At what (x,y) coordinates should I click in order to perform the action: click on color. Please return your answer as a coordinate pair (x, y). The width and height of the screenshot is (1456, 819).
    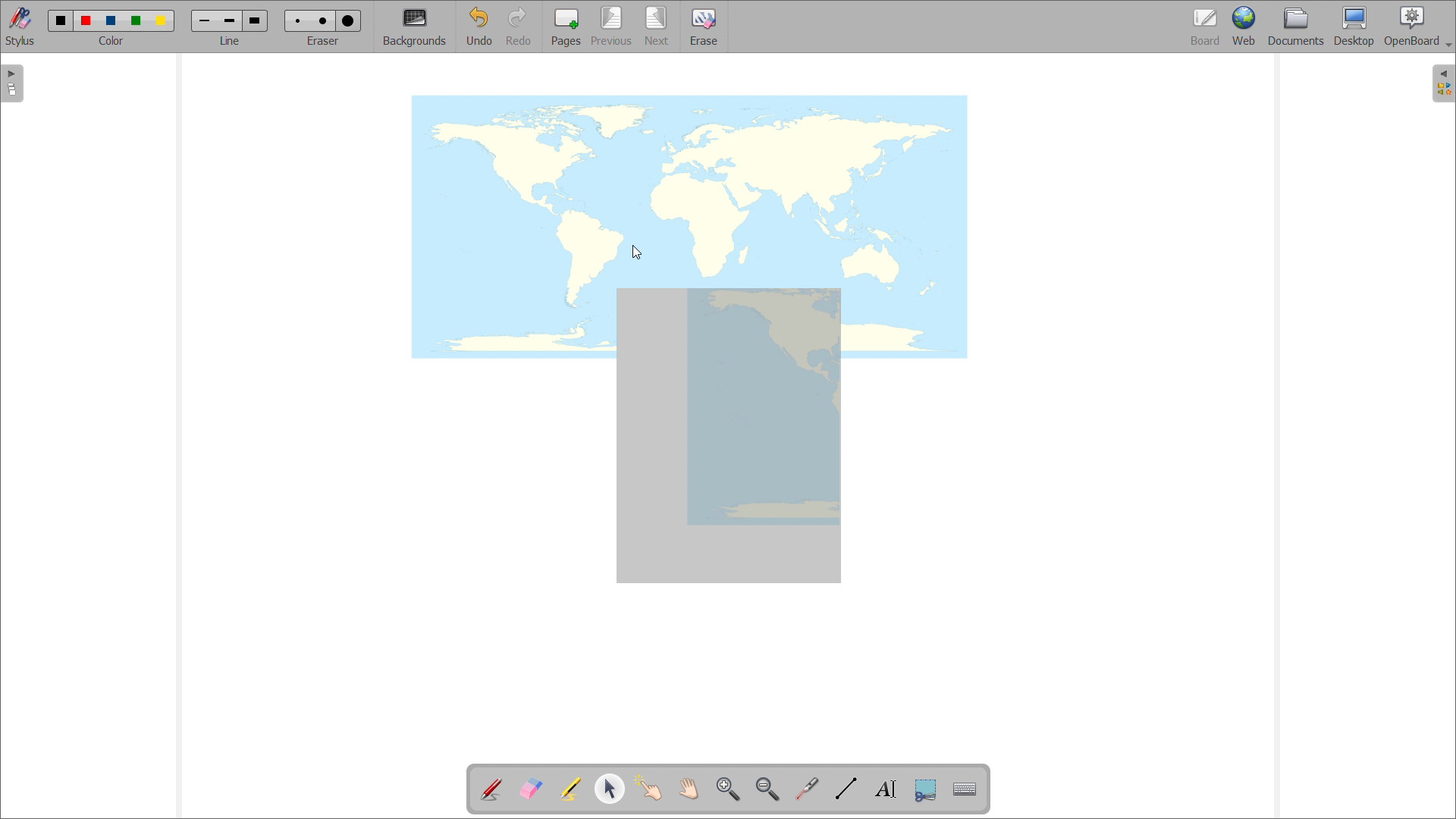
    Looking at the image, I should click on (111, 41).